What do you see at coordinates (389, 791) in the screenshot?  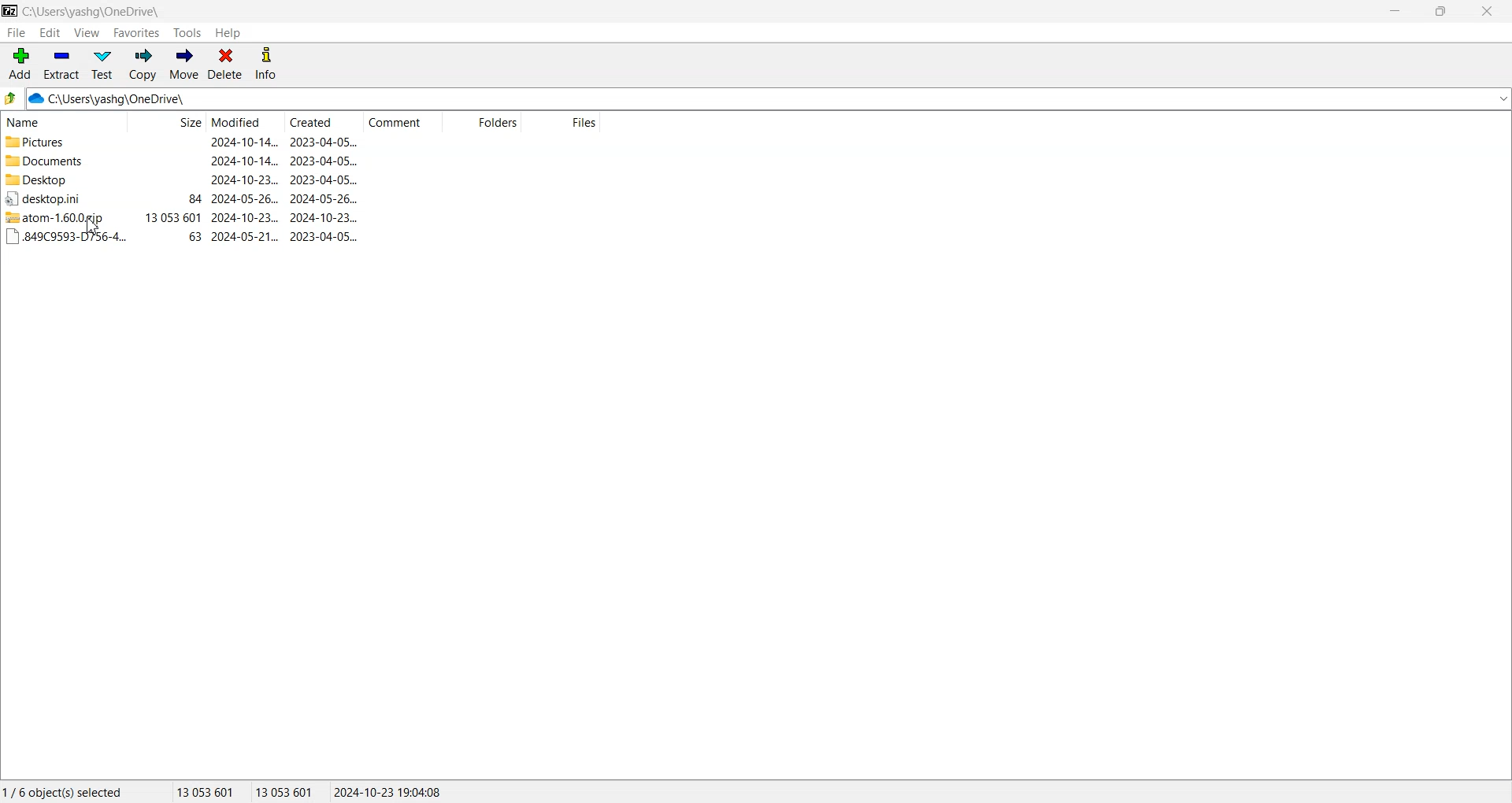 I see `2024-10-23 19:04:08` at bounding box center [389, 791].